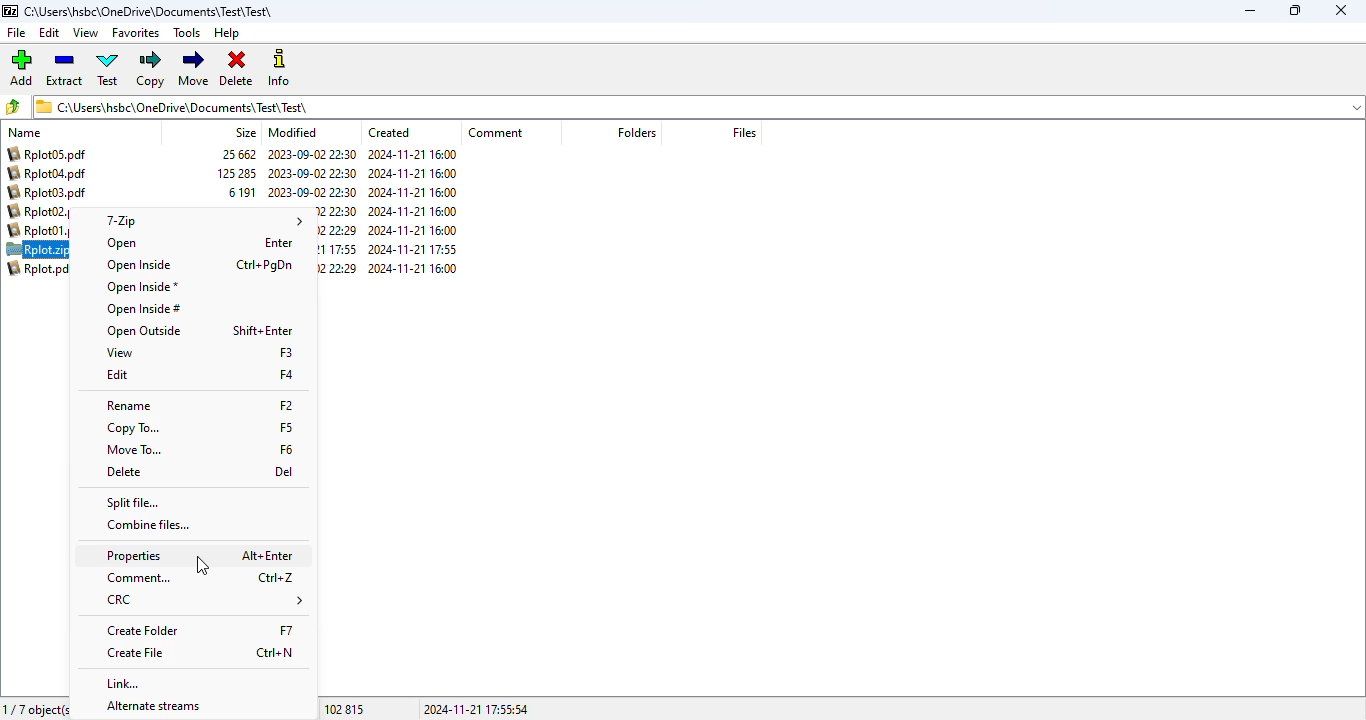 Image resolution: width=1366 pixels, height=720 pixels. I want to click on size, so click(246, 133).